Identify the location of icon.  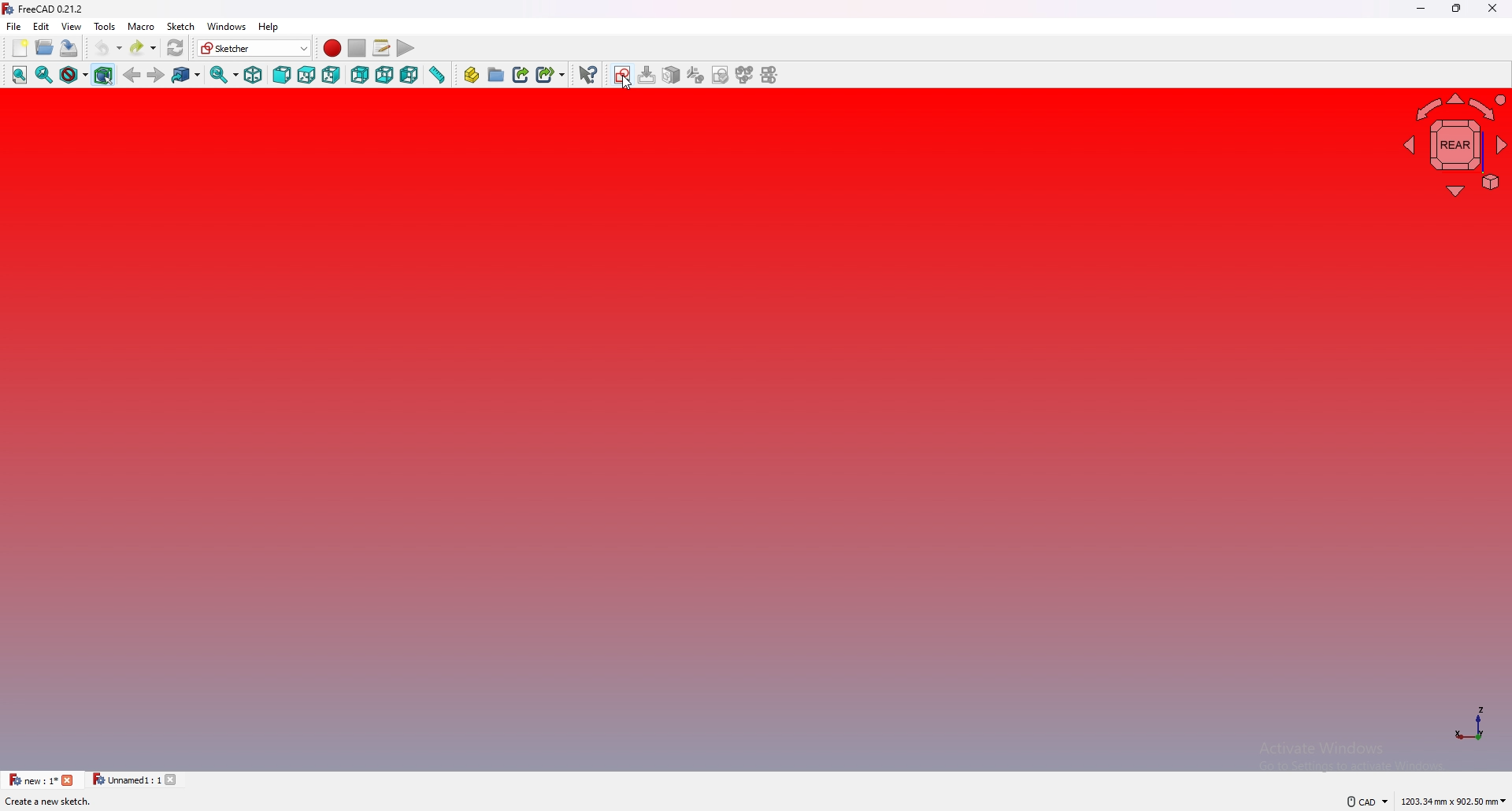
(674, 74).